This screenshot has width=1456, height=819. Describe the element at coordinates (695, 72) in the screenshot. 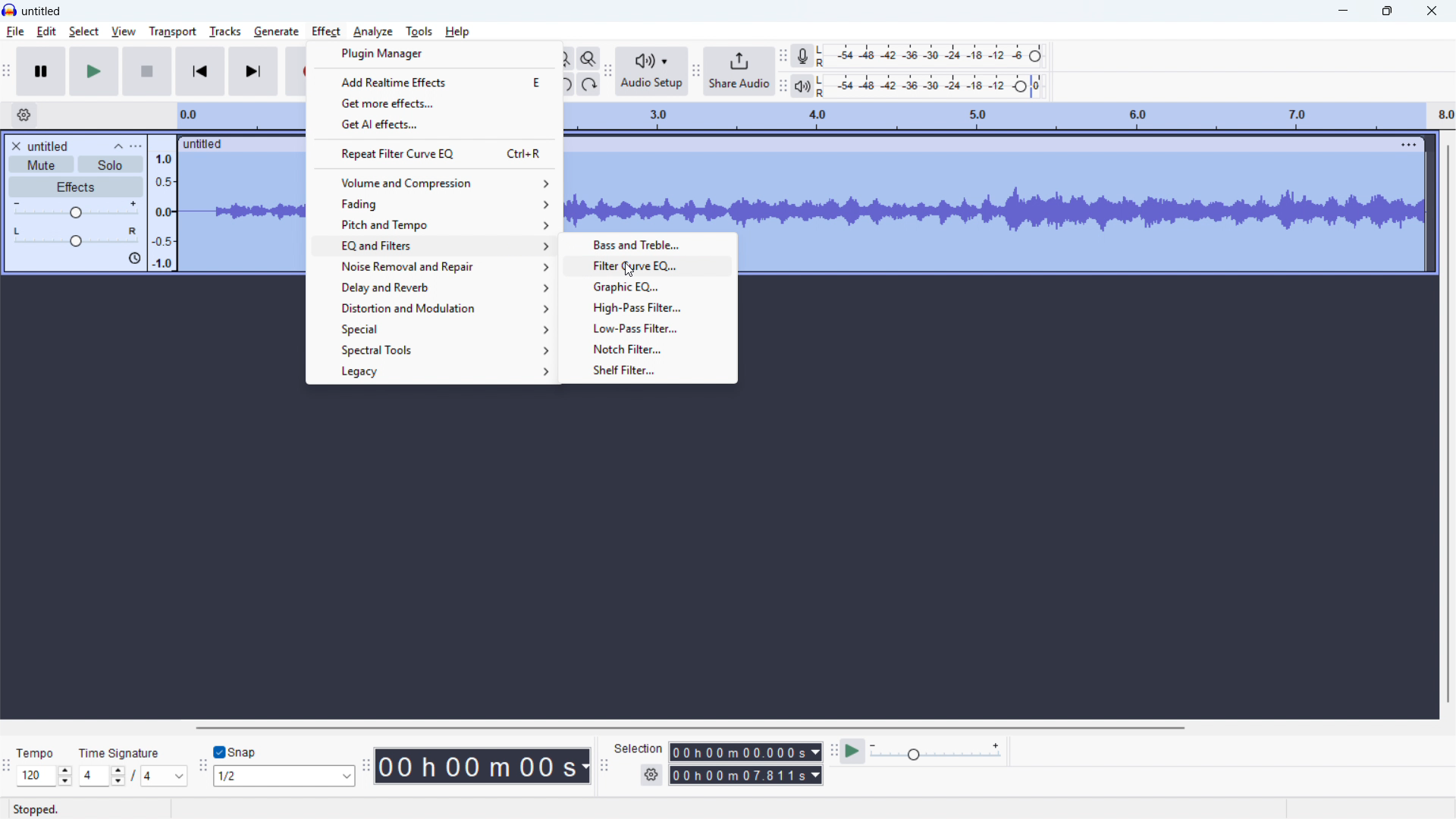

I see `Share audio toolbar ` at that location.